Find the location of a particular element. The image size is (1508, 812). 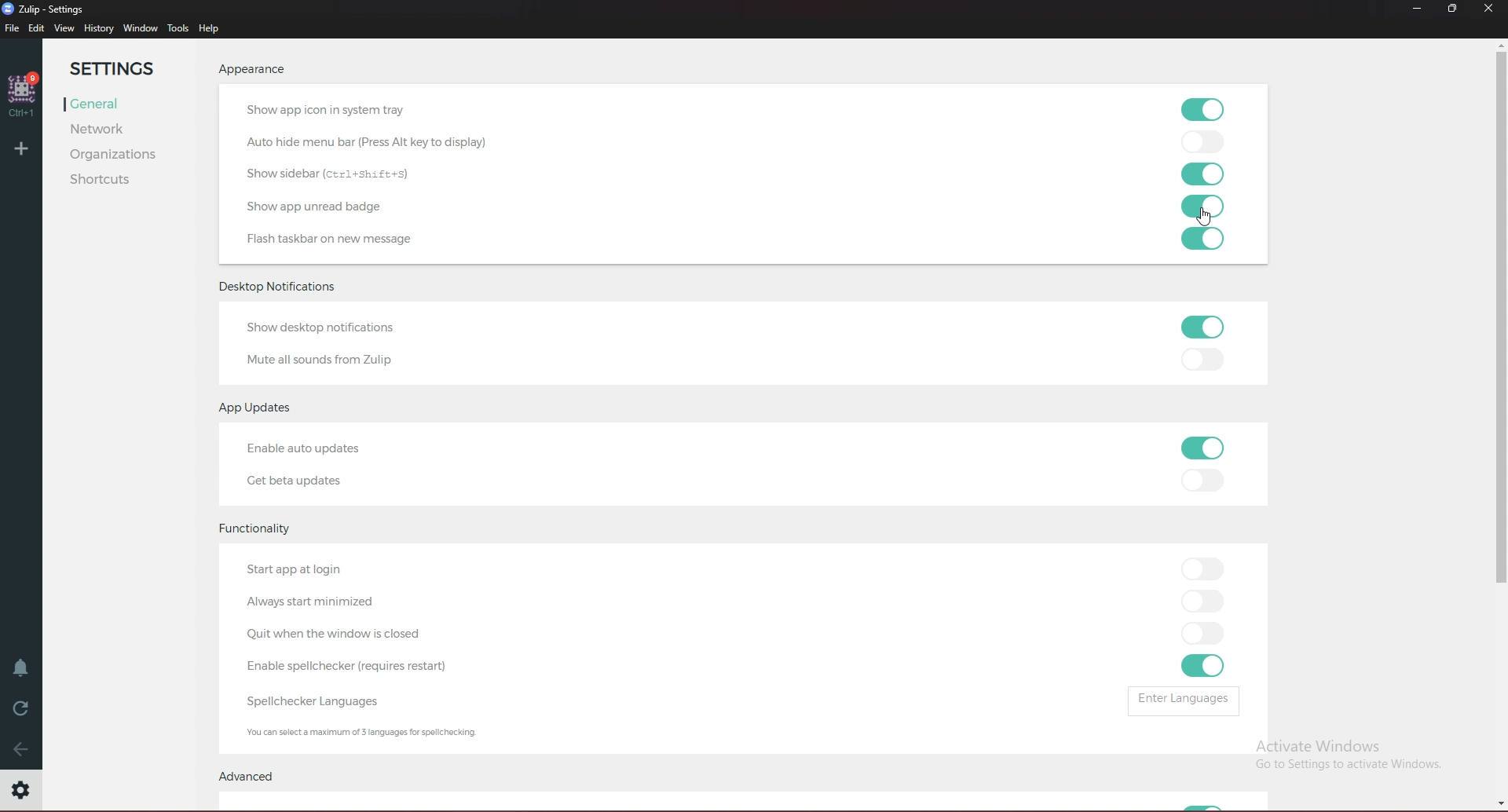

Edit is located at coordinates (37, 29).